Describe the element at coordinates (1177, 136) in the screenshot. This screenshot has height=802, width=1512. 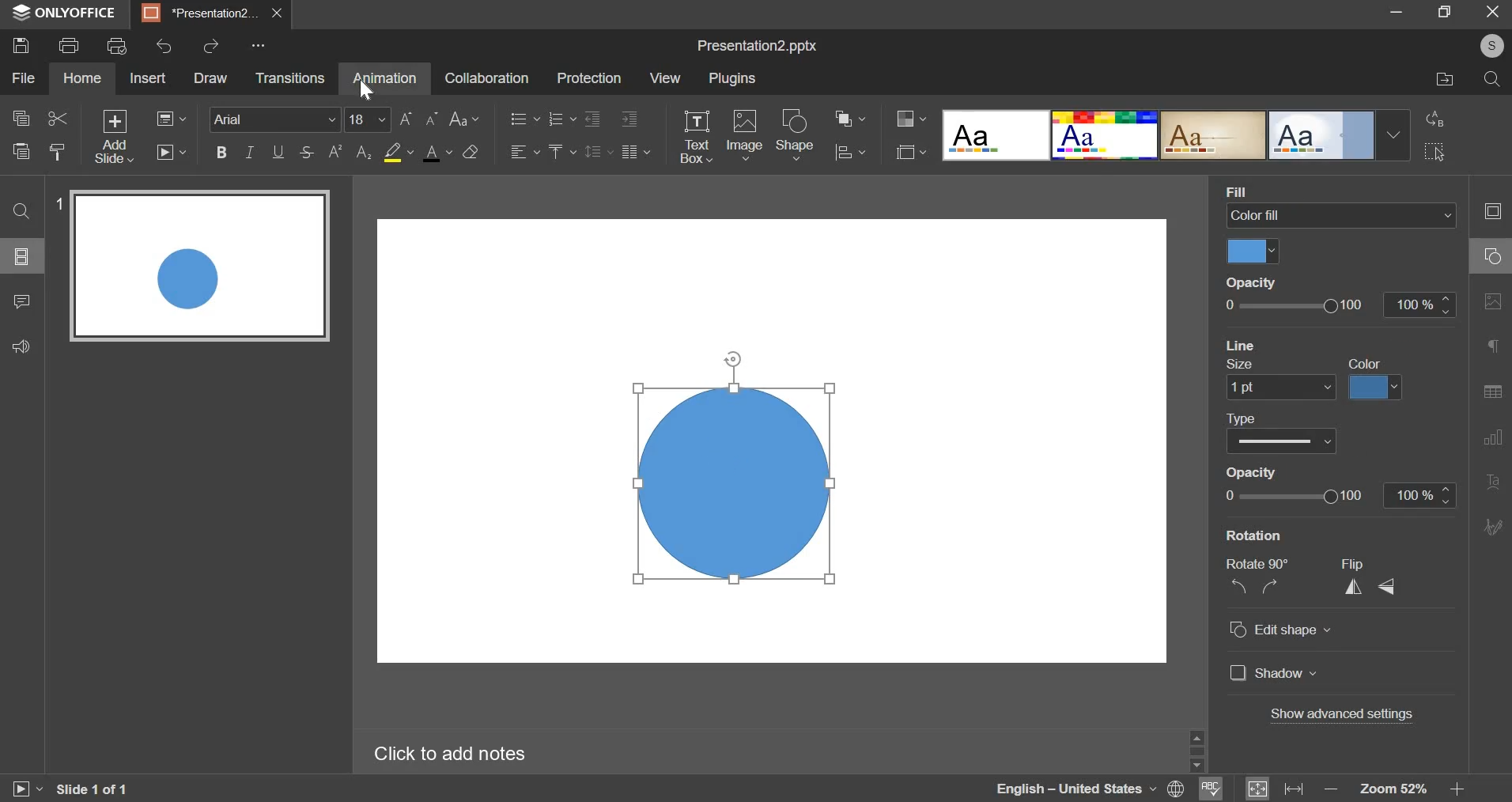
I see `word art` at that location.